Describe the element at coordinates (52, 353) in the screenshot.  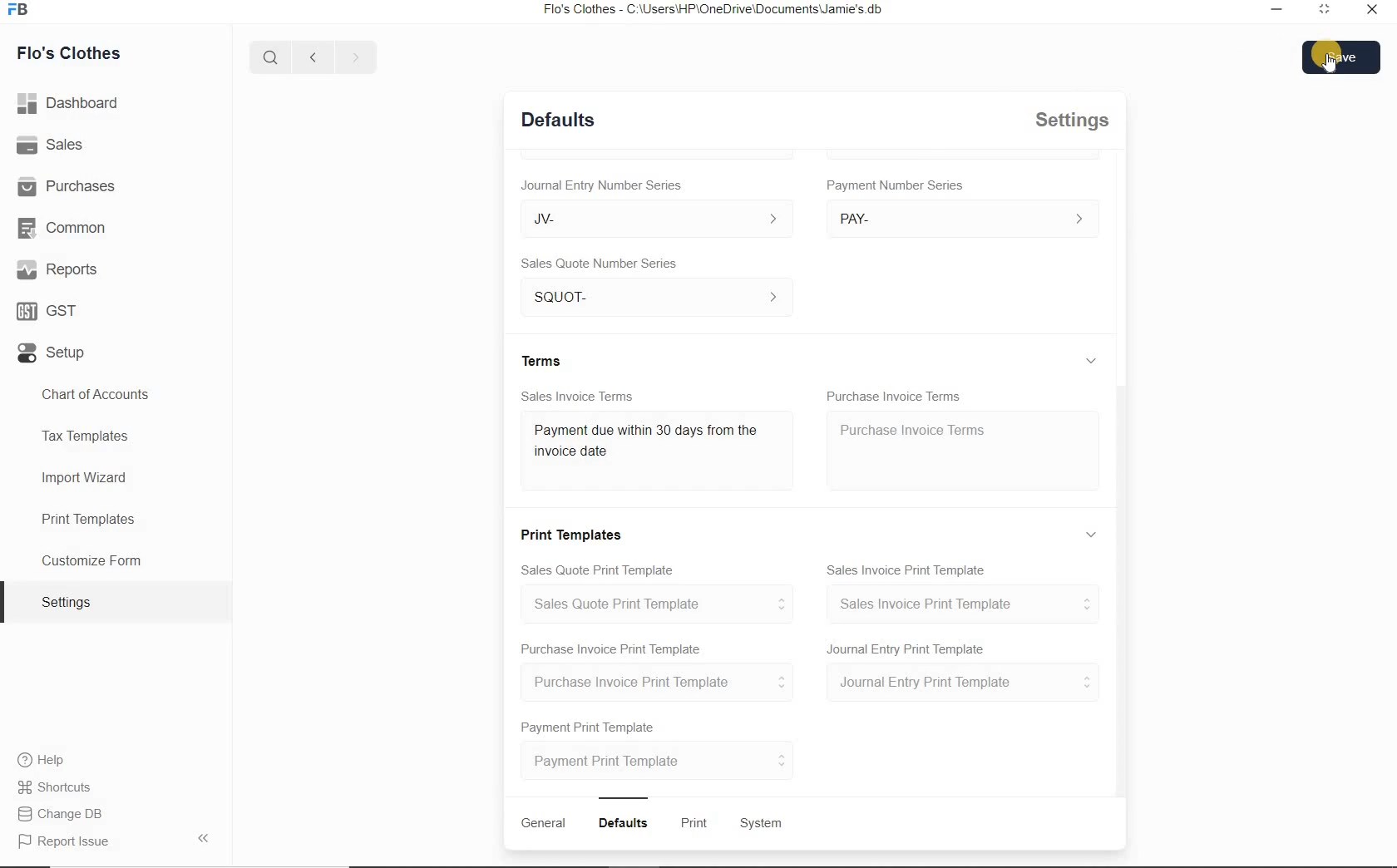
I see `Setup` at that location.